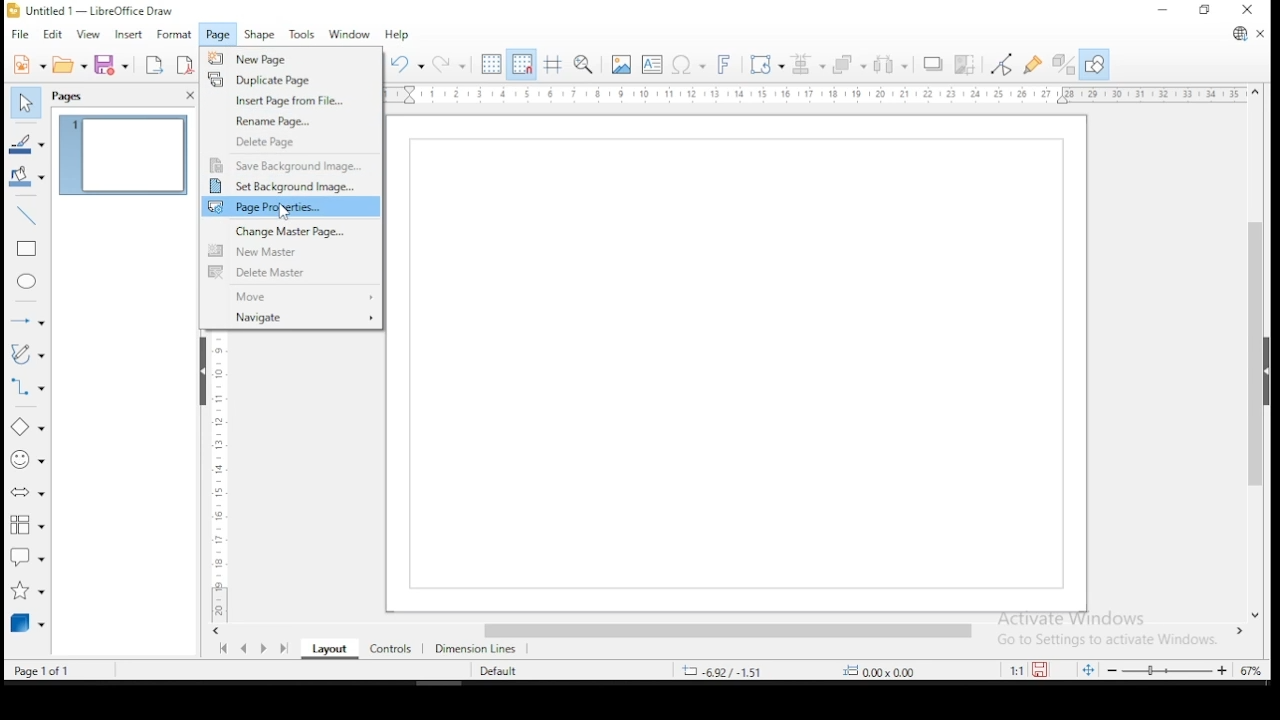  Describe the element at coordinates (965, 64) in the screenshot. I see `crop` at that location.